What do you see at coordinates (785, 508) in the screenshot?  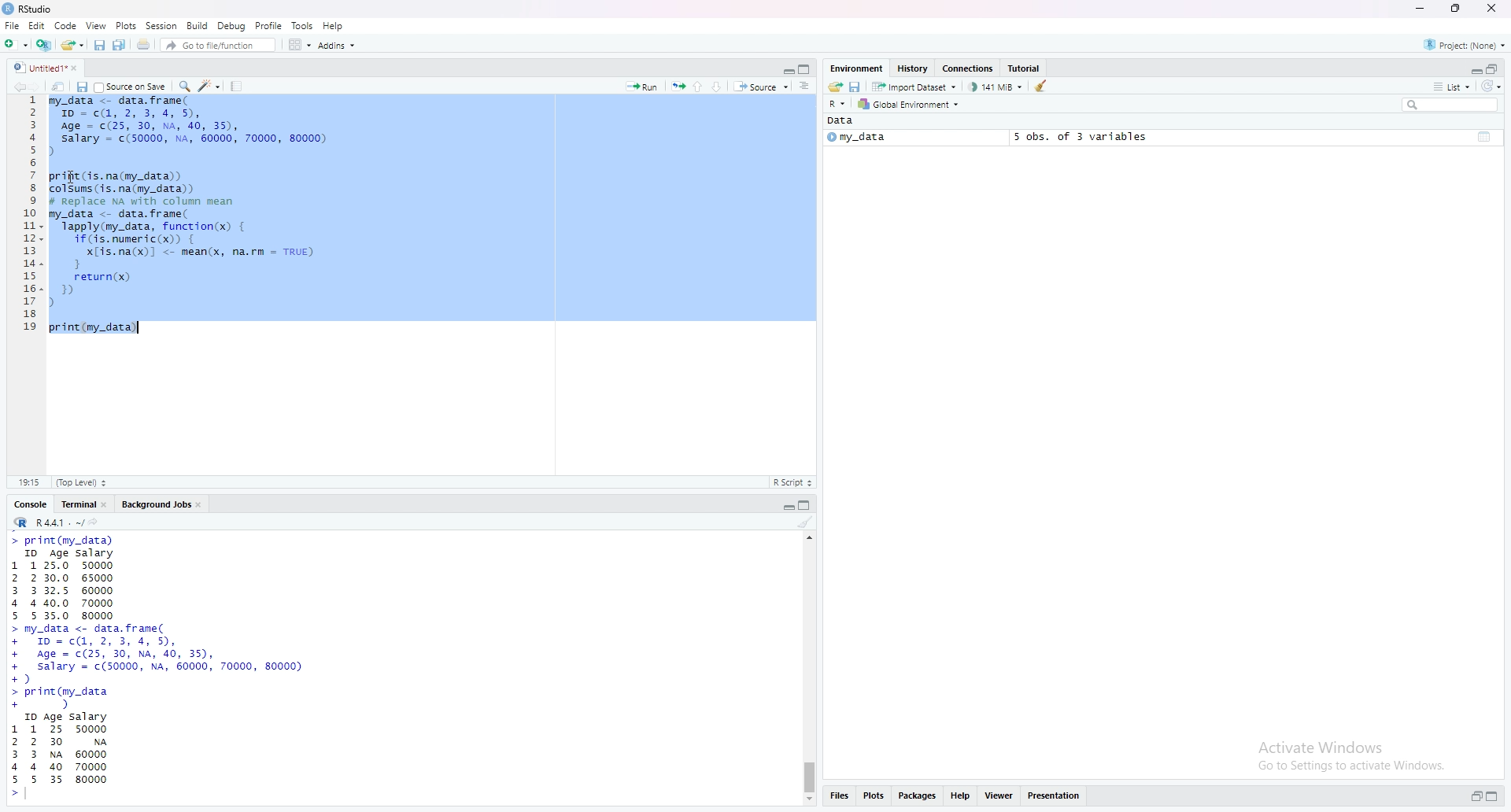 I see `expand` at bounding box center [785, 508].